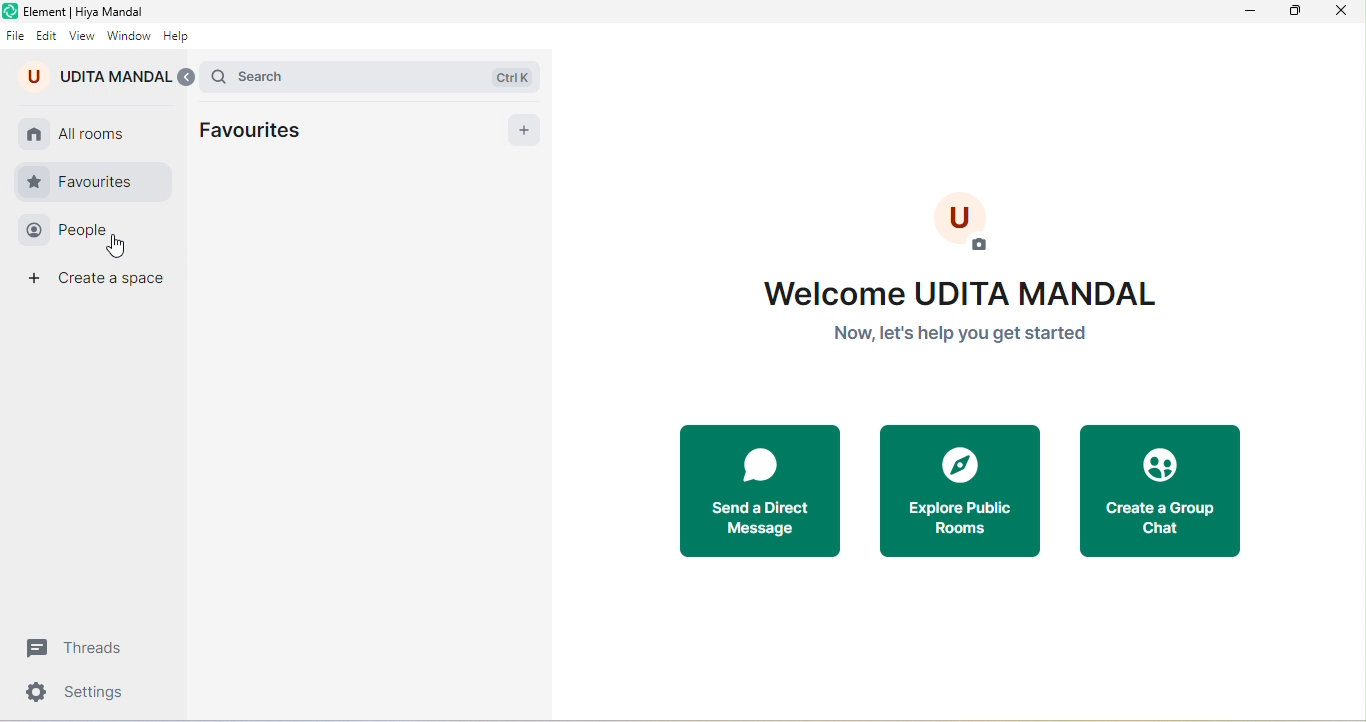  Describe the element at coordinates (277, 133) in the screenshot. I see `favourites` at that location.